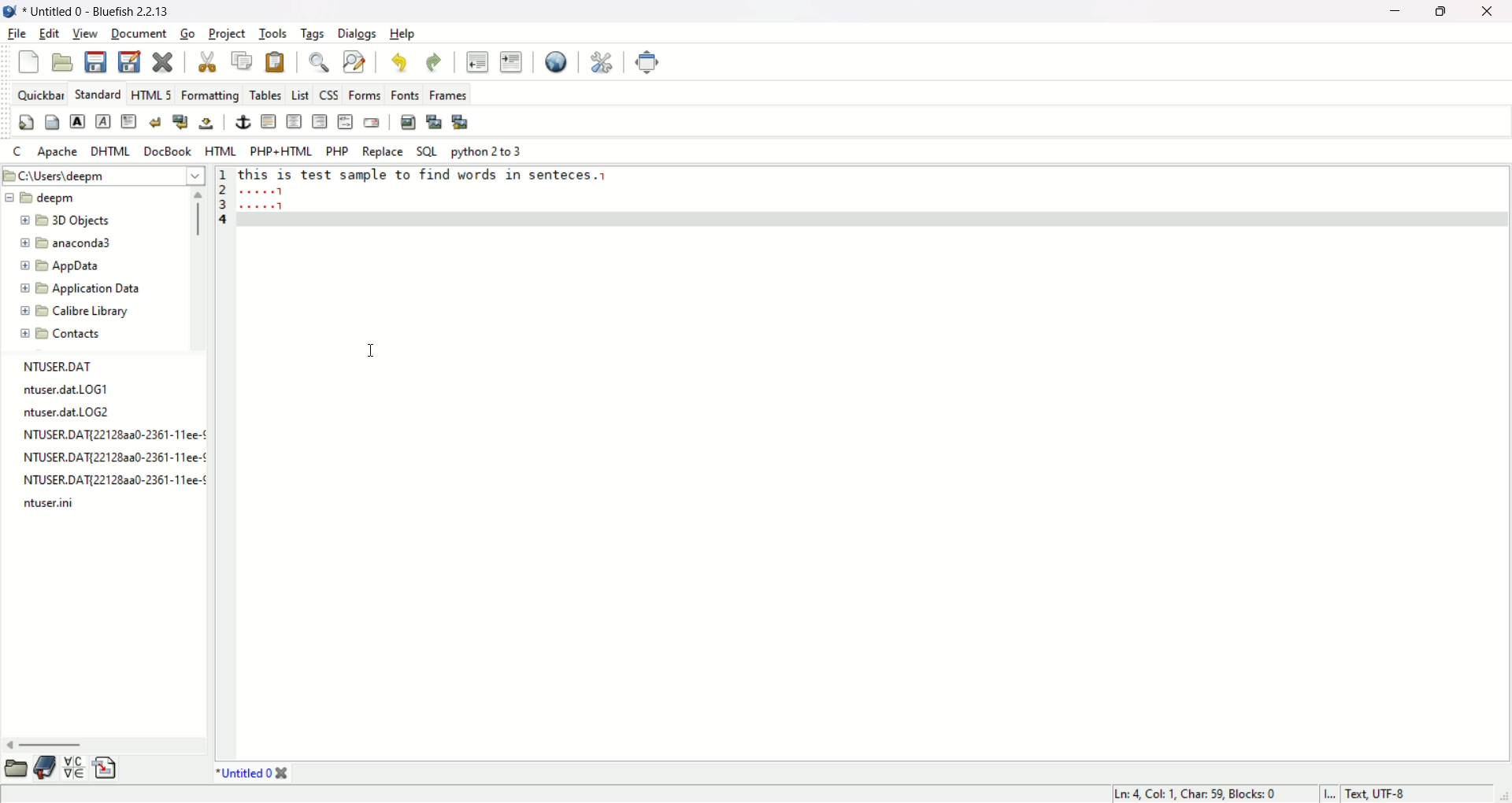  I want to click on NTUSER.DAT[22128aa0-2361-11ee-, so click(112, 479).